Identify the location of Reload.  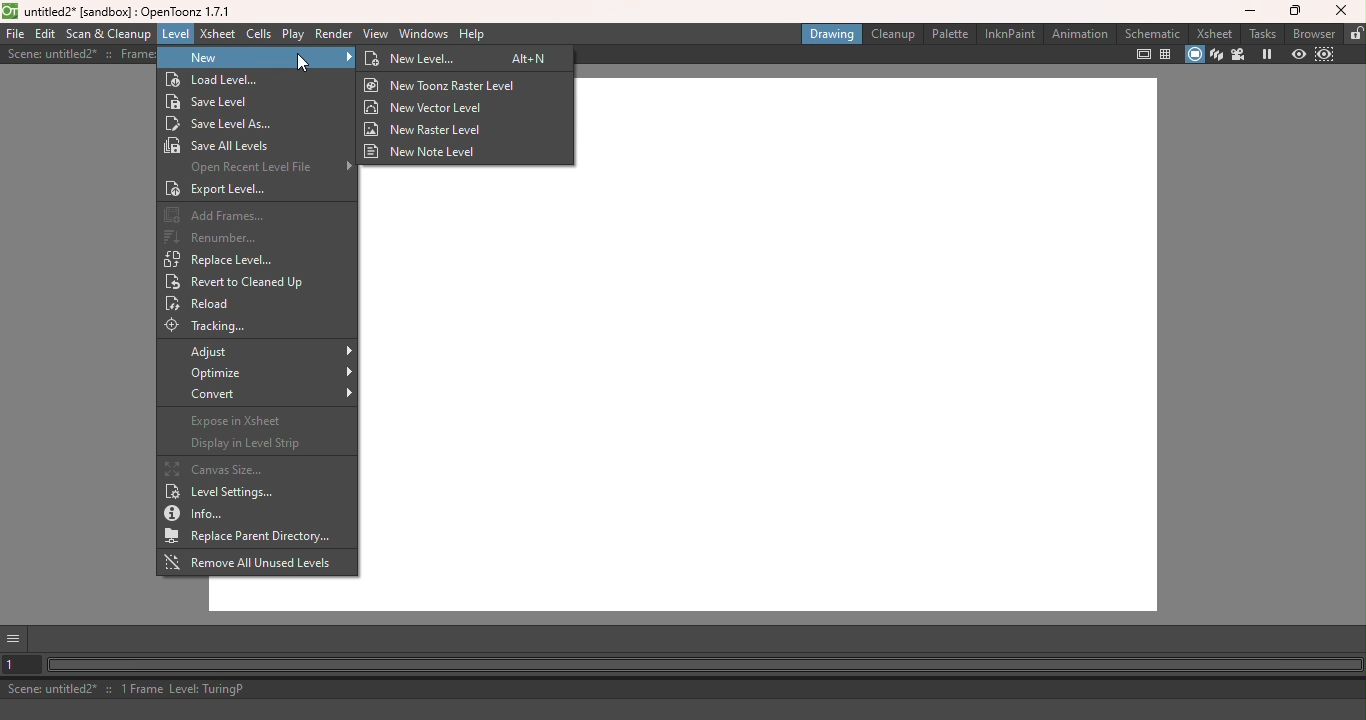
(209, 306).